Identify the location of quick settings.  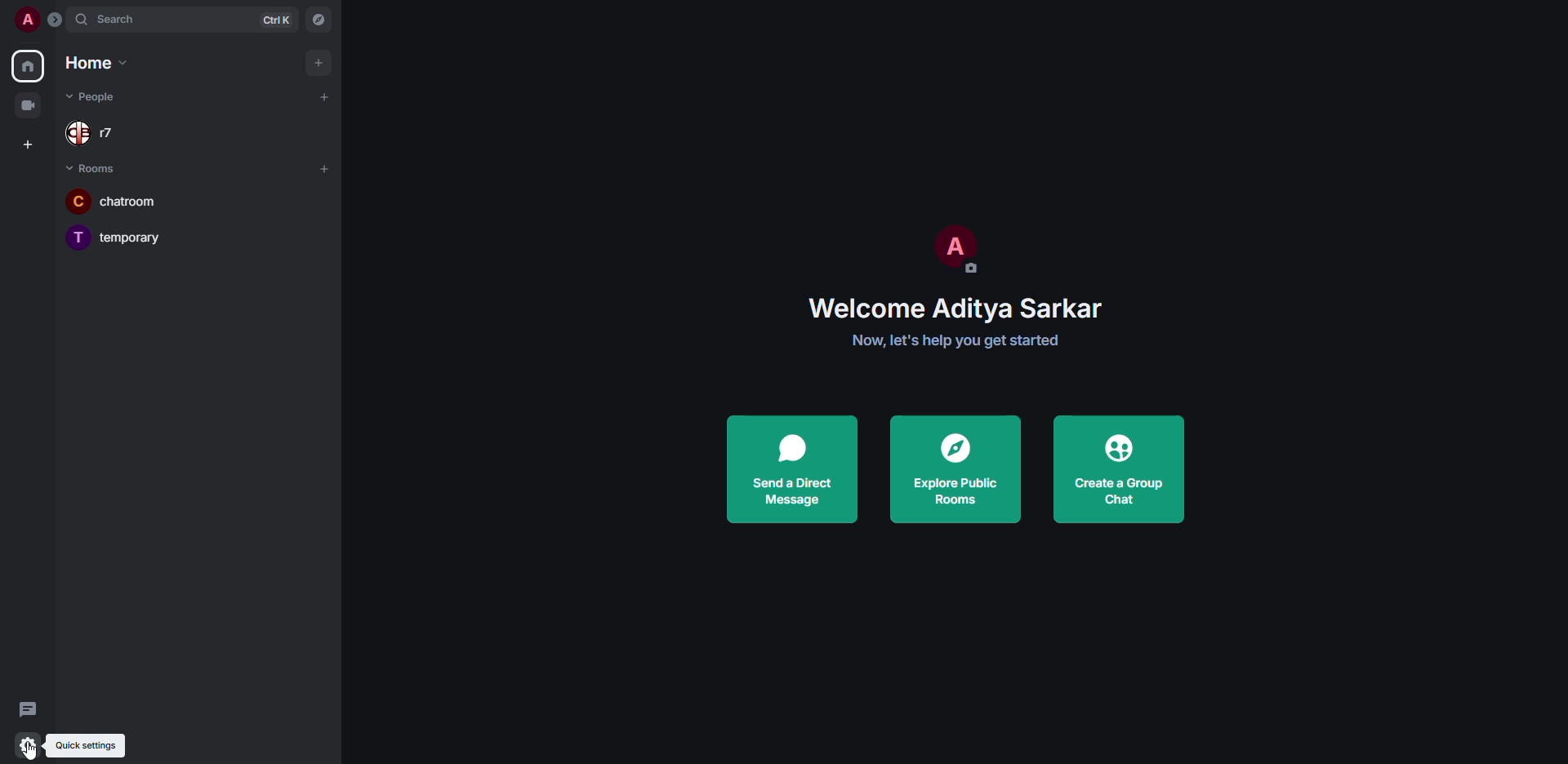
(28, 745).